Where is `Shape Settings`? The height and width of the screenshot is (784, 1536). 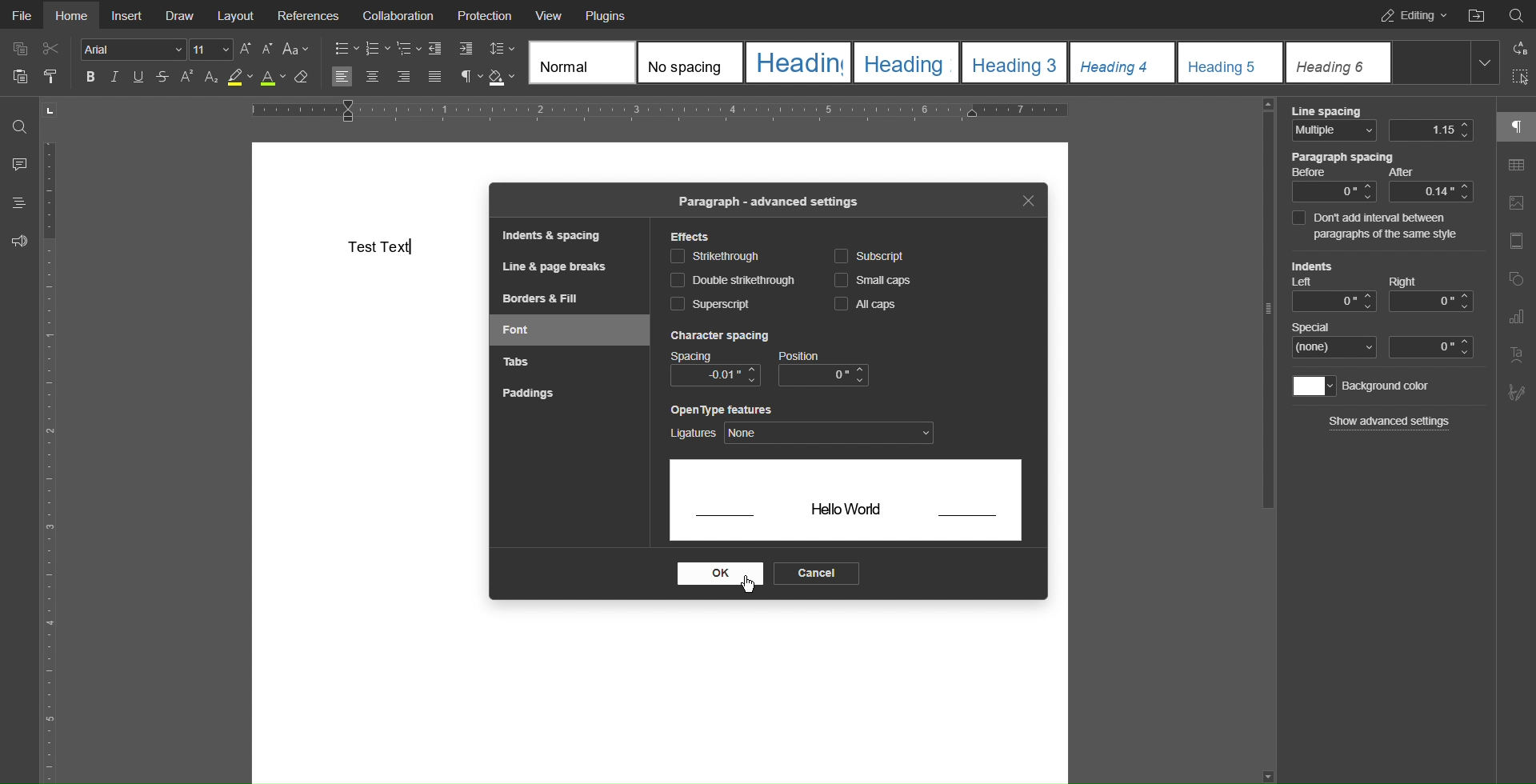
Shape Settings is located at coordinates (1516, 282).